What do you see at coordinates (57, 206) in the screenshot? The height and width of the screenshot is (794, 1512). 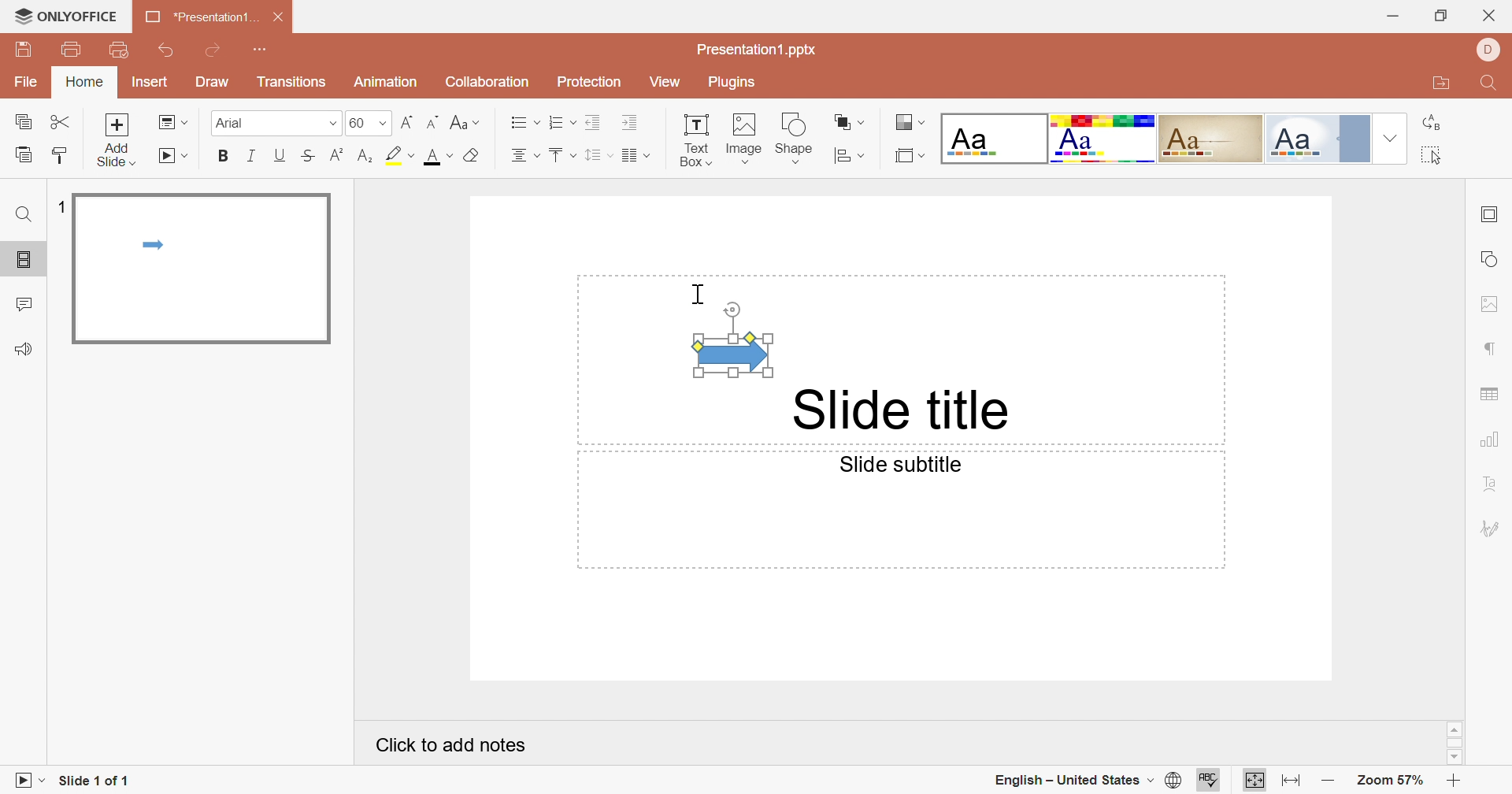 I see `1` at bounding box center [57, 206].